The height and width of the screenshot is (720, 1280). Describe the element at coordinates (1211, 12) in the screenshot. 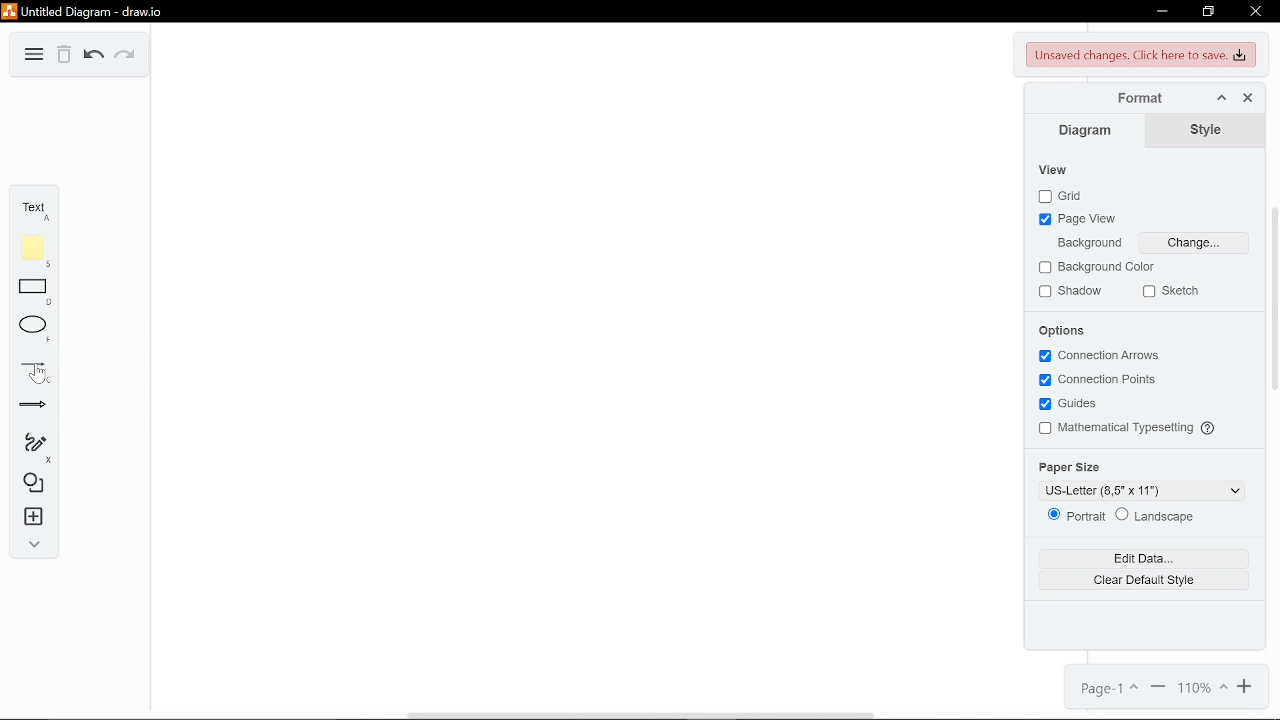

I see `Restore down` at that location.